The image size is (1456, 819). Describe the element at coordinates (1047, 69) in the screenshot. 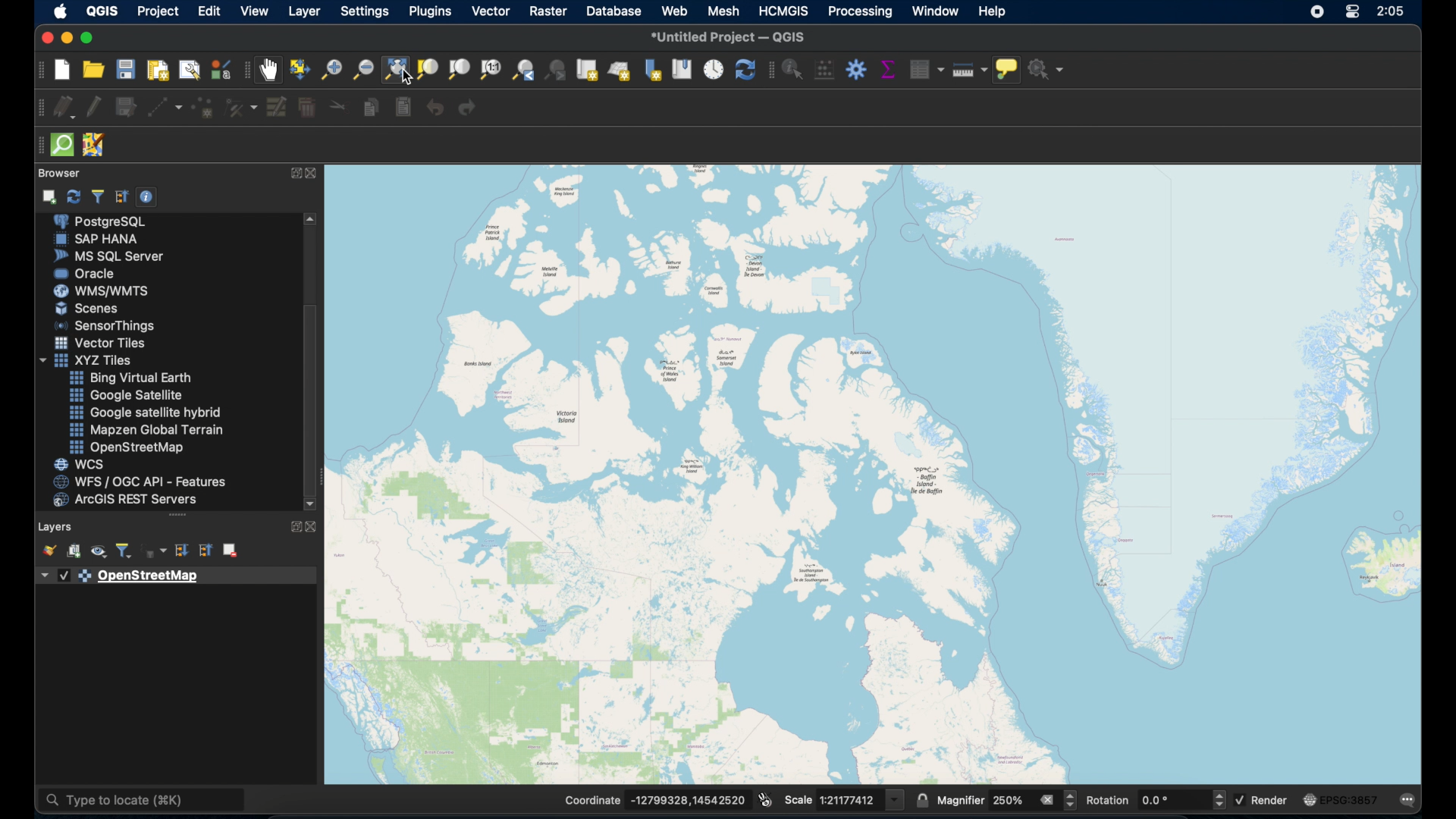

I see `run. feature action` at that location.